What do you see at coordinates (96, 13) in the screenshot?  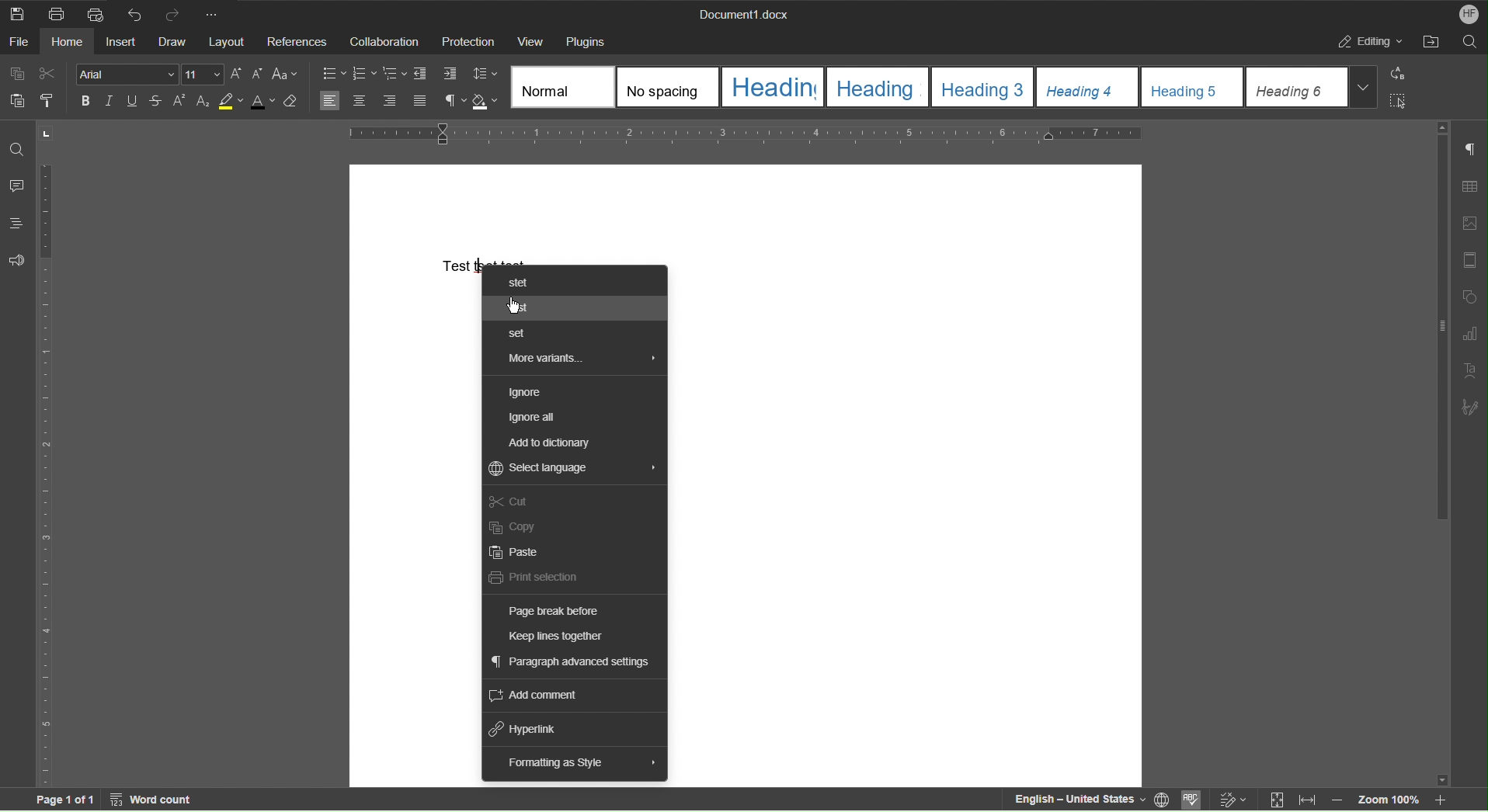 I see `Quick Print` at bounding box center [96, 13].